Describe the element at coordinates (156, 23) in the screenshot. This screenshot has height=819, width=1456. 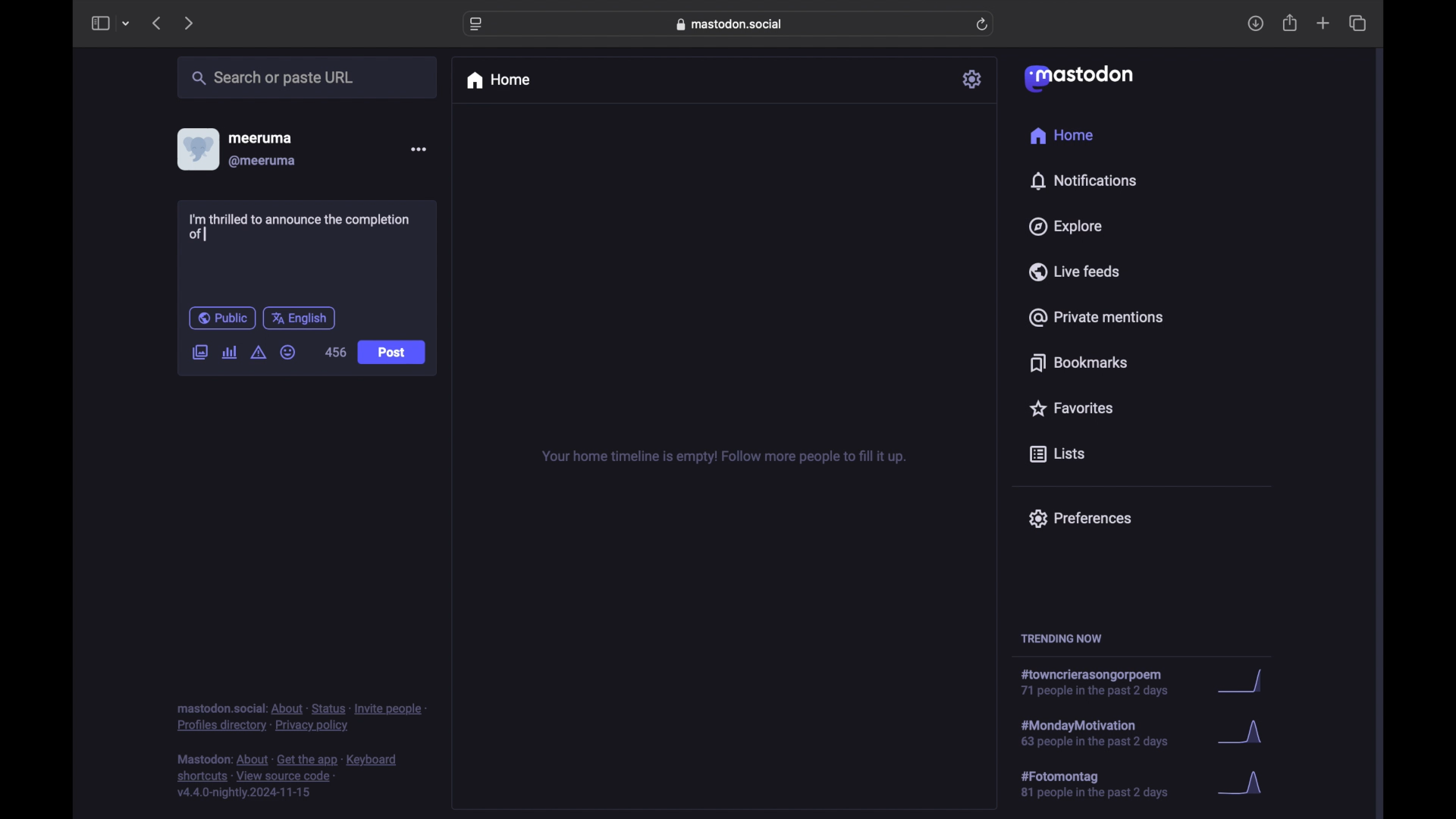
I see `previous` at that location.